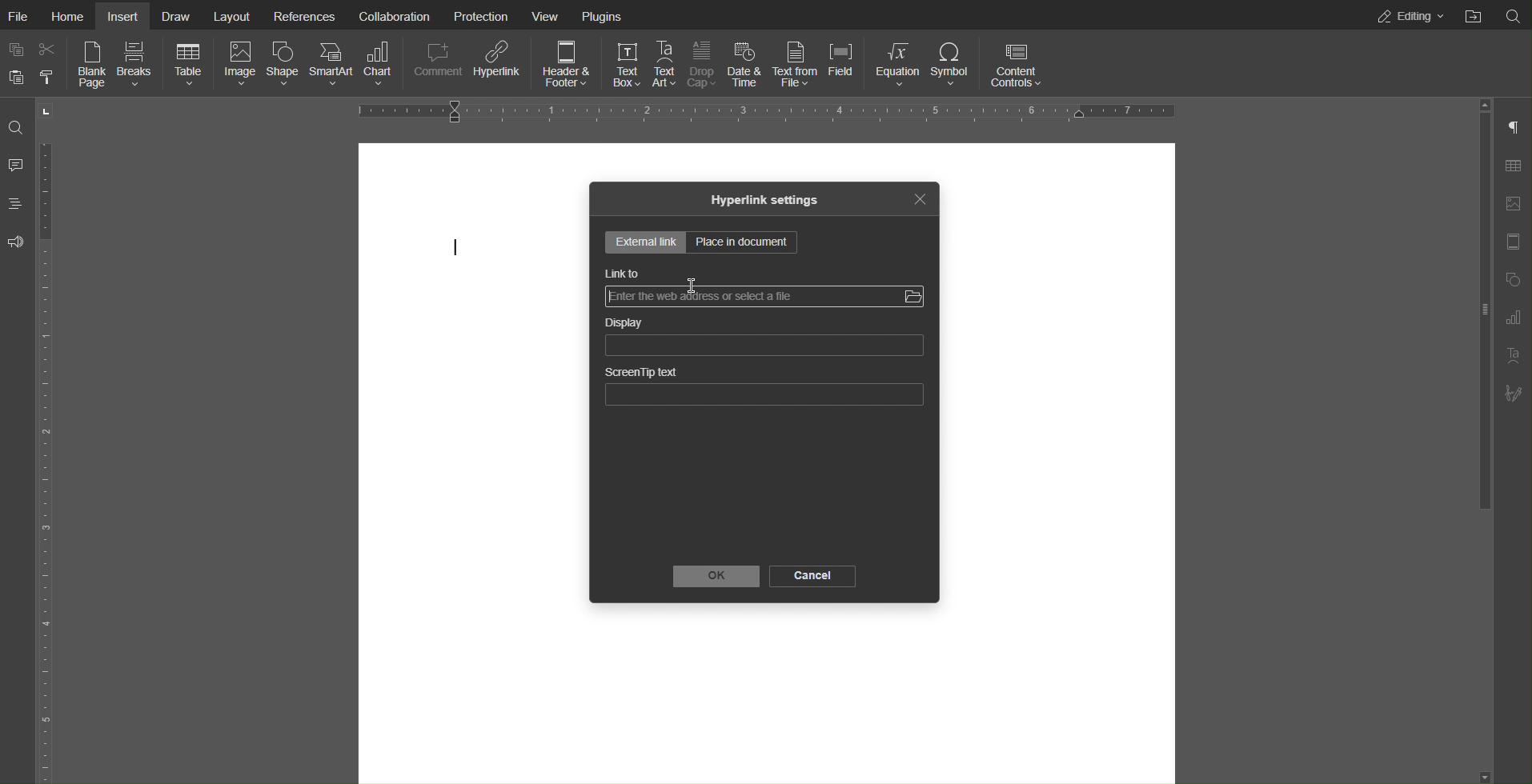  What do you see at coordinates (690, 287) in the screenshot?
I see `pointer` at bounding box center [690, 287].